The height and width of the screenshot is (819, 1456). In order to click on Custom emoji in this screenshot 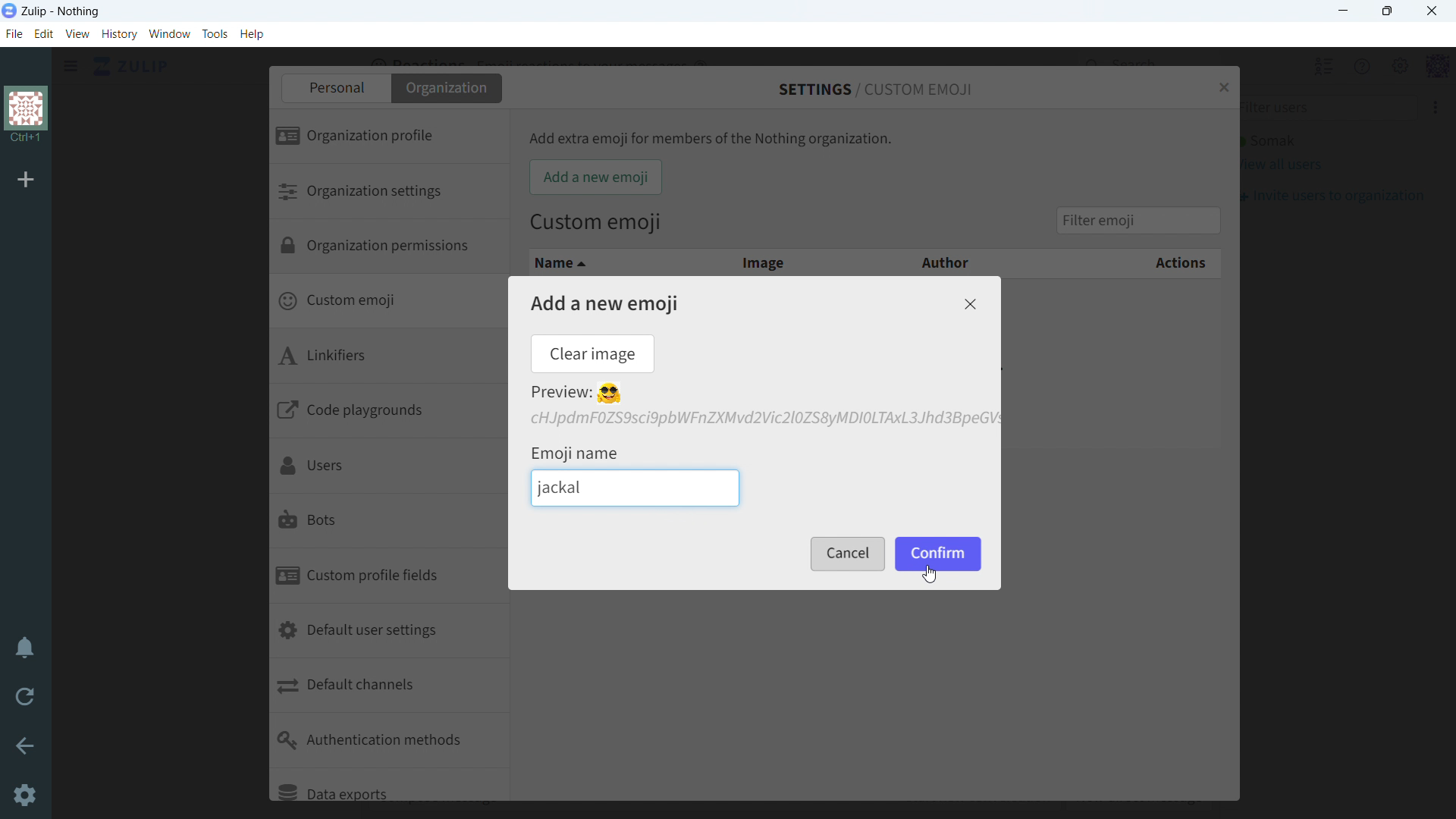, I will do `click(596, 224)`.